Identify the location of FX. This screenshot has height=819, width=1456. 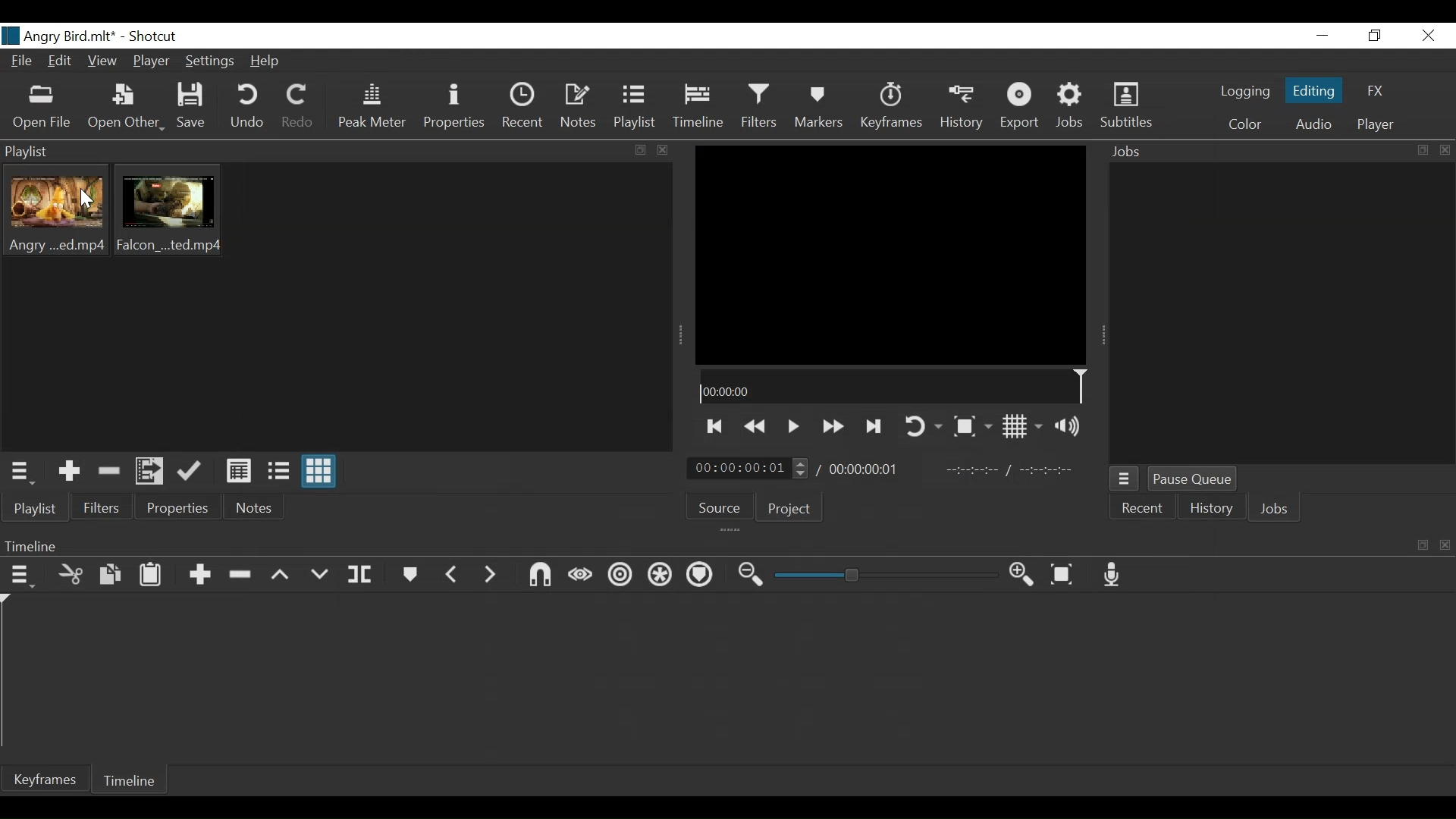
(1373, 91).